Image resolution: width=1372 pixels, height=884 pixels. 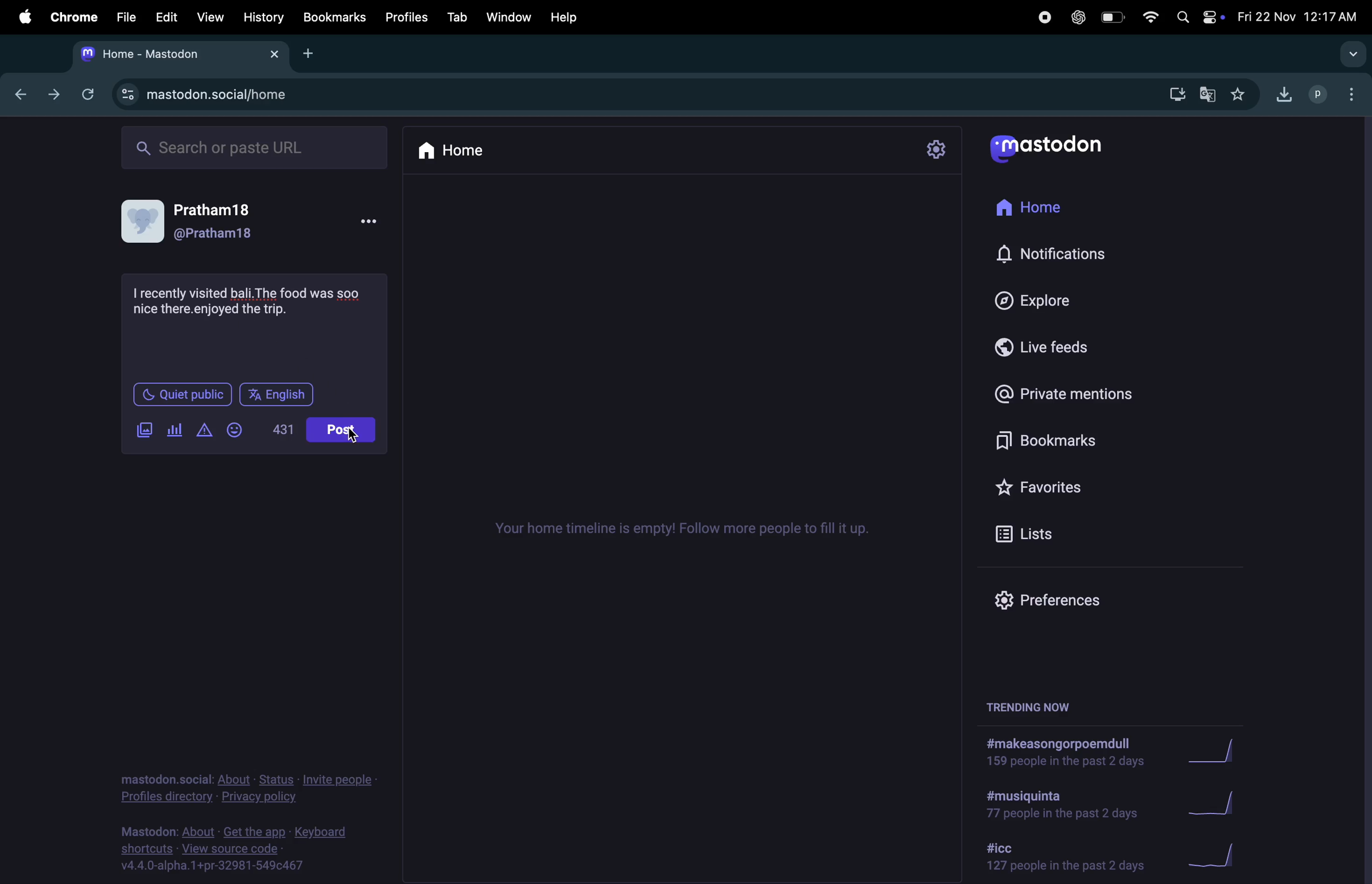 What do you see at coordinates (1045, 530) in the screenshot?
I see `lists` at bounding box center [1045, 530].